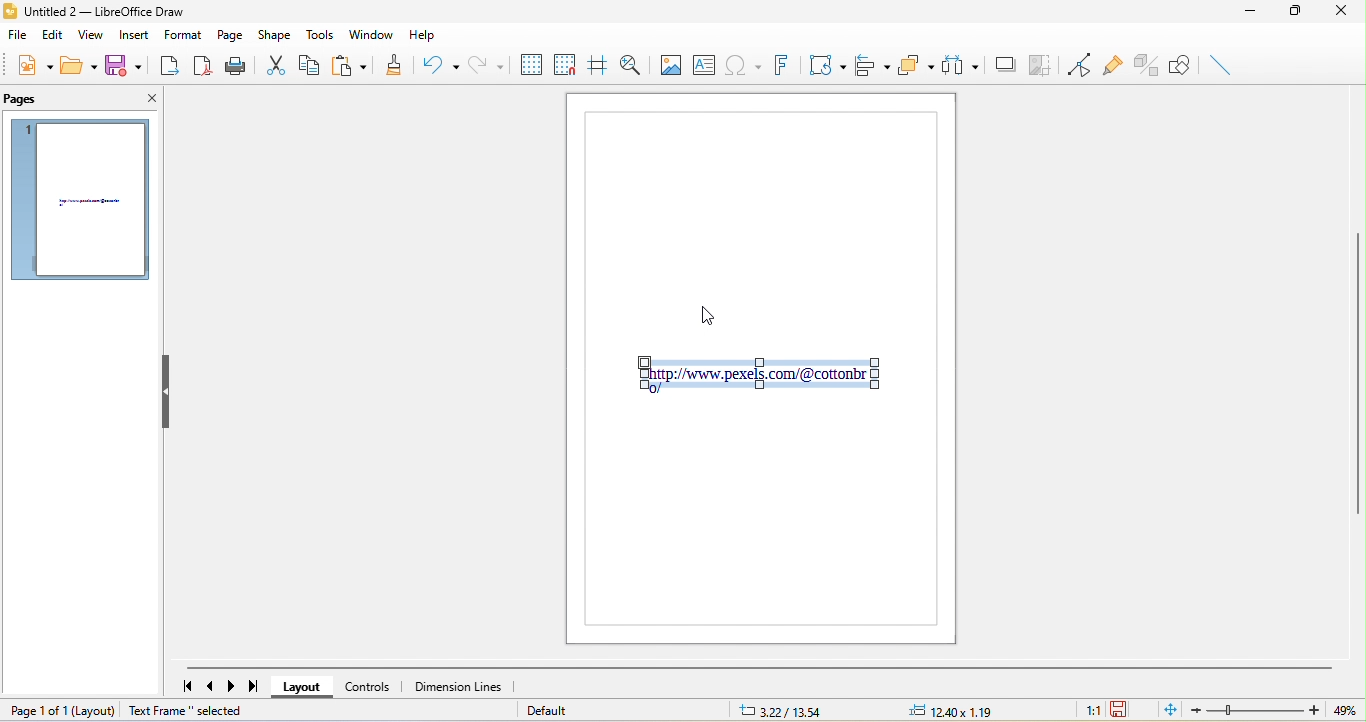 The height and width of the screenshot is (722, 1366). What do you see at coordinates (565, 64) in the screenshot?
I see `snap to grid` at bounding box center [565, 64].